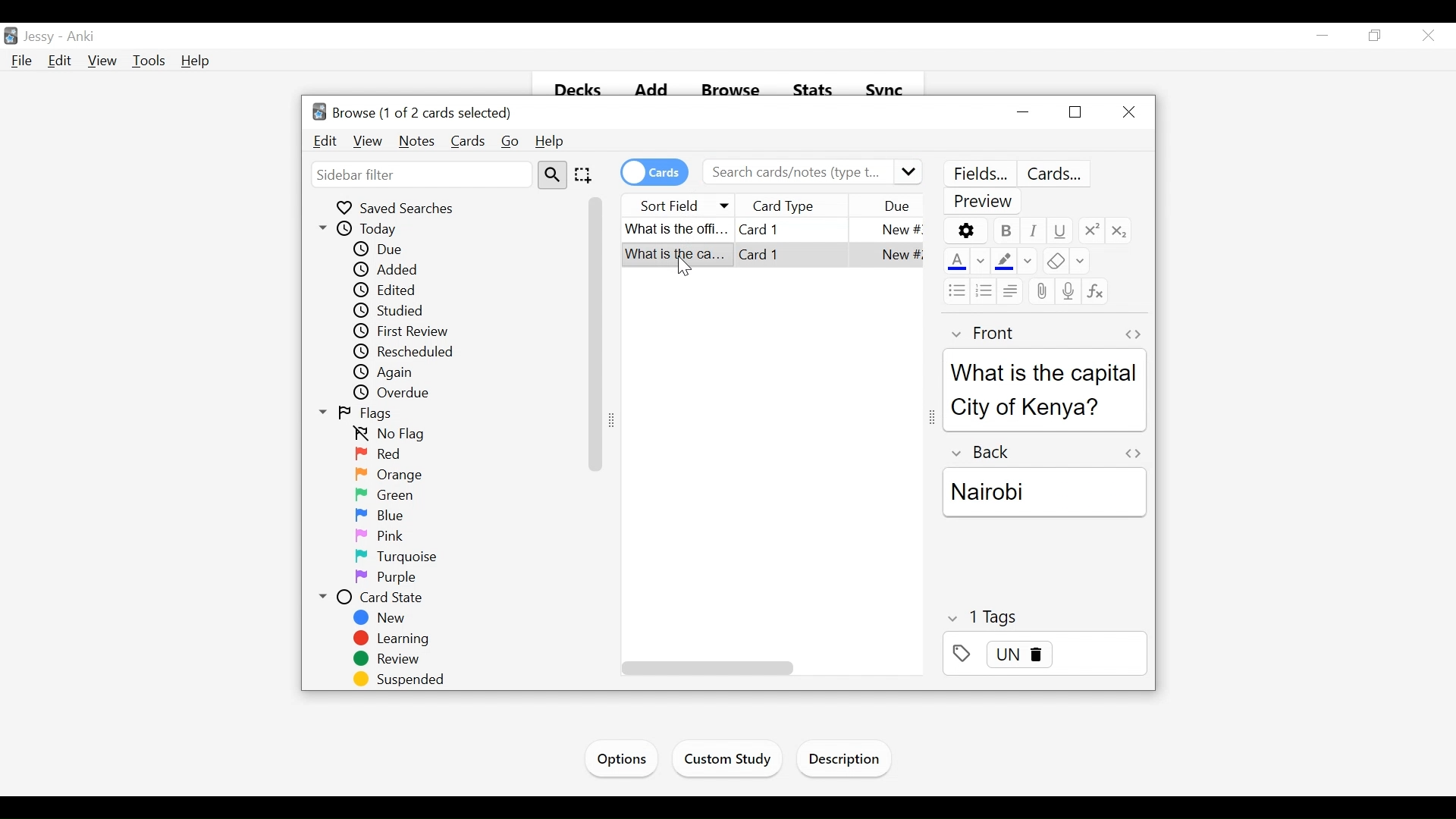  Describe the element at coordinates (195, 61) in the screenshot. I see `Help` at that location.